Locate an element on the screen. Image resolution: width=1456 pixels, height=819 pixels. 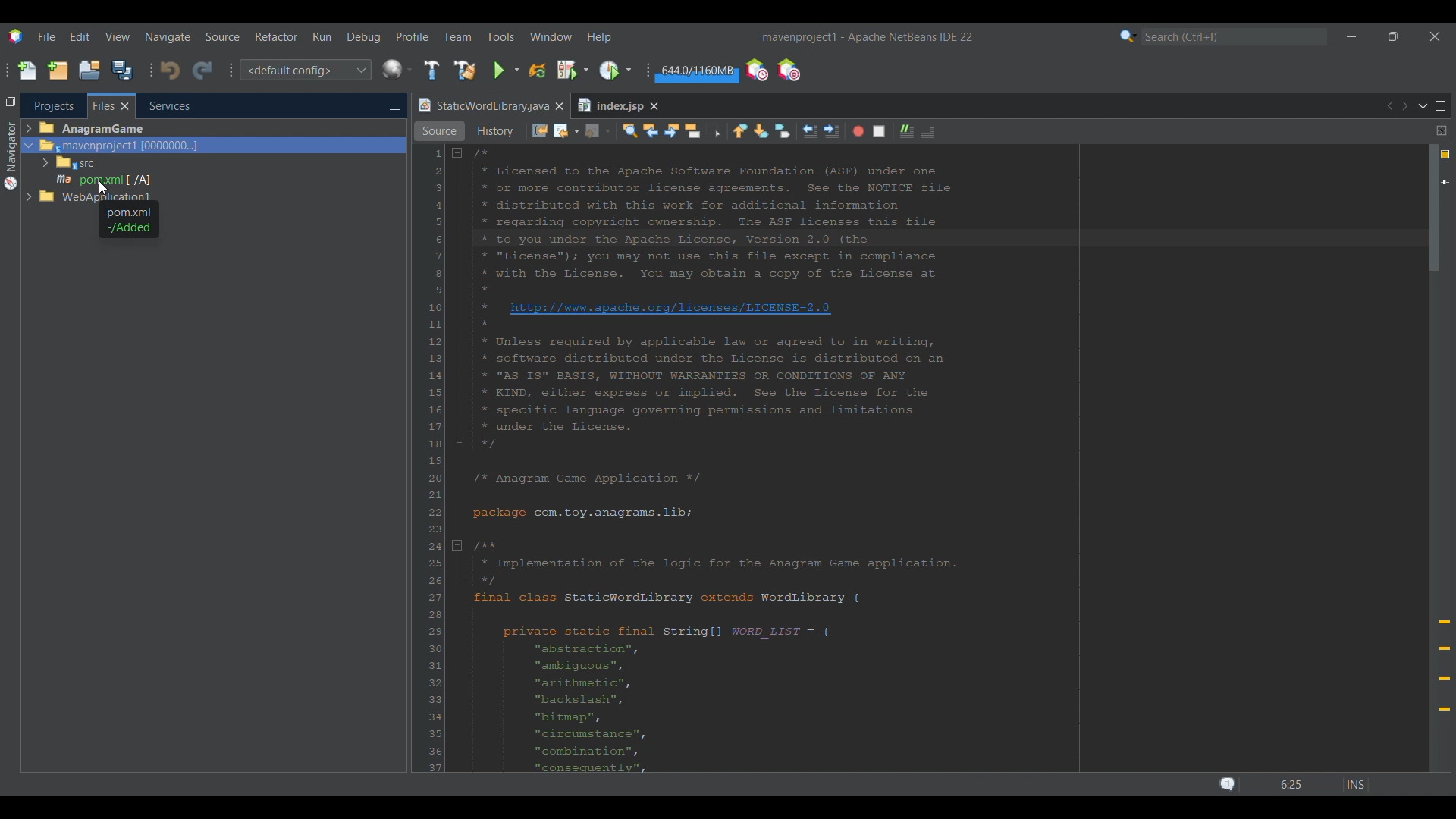
Find previous occurrence is located at coordinates (651, 130).